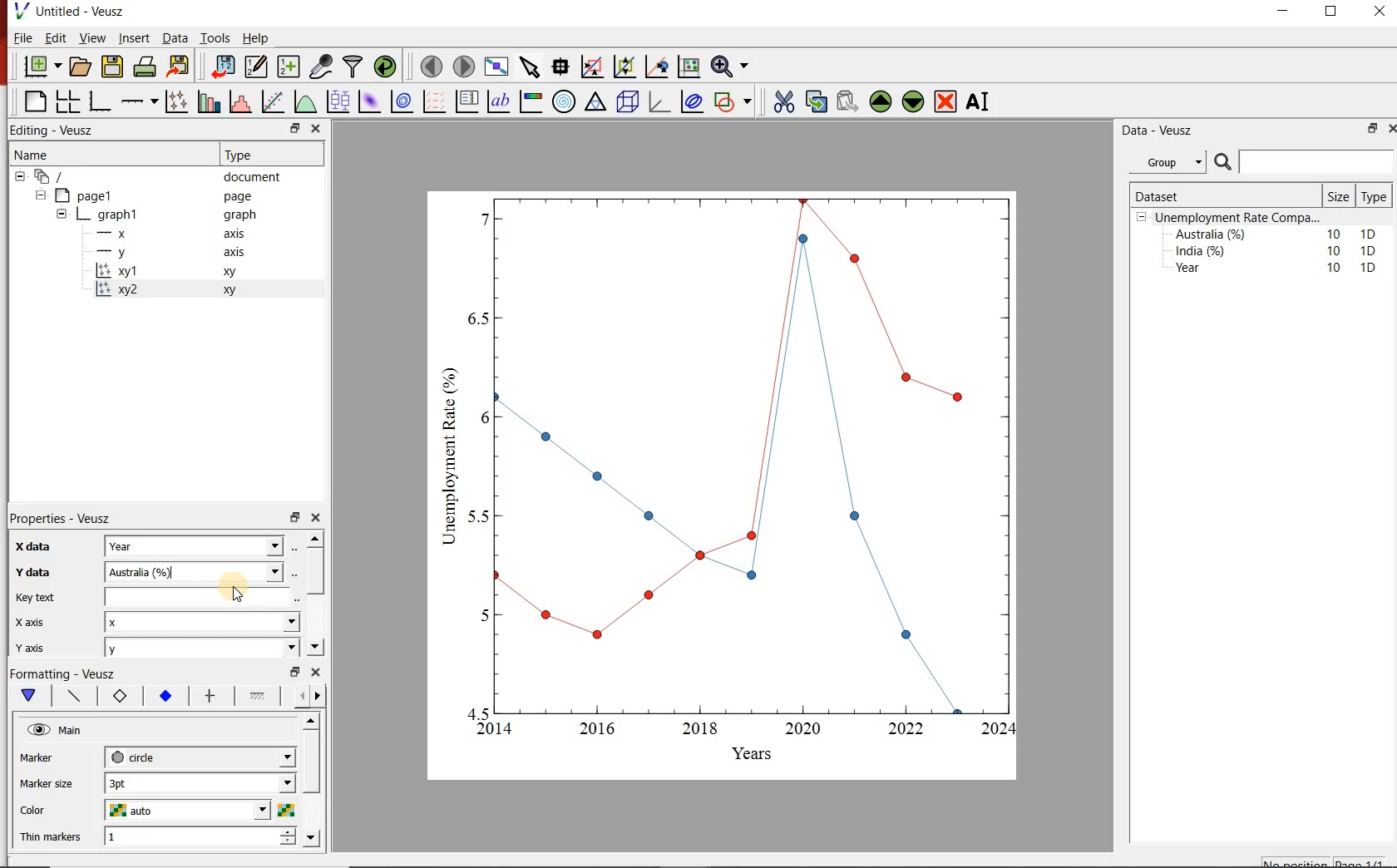  Describe the element at coordinates (285, 810) in the screenshot. I see `choose color` at that location.